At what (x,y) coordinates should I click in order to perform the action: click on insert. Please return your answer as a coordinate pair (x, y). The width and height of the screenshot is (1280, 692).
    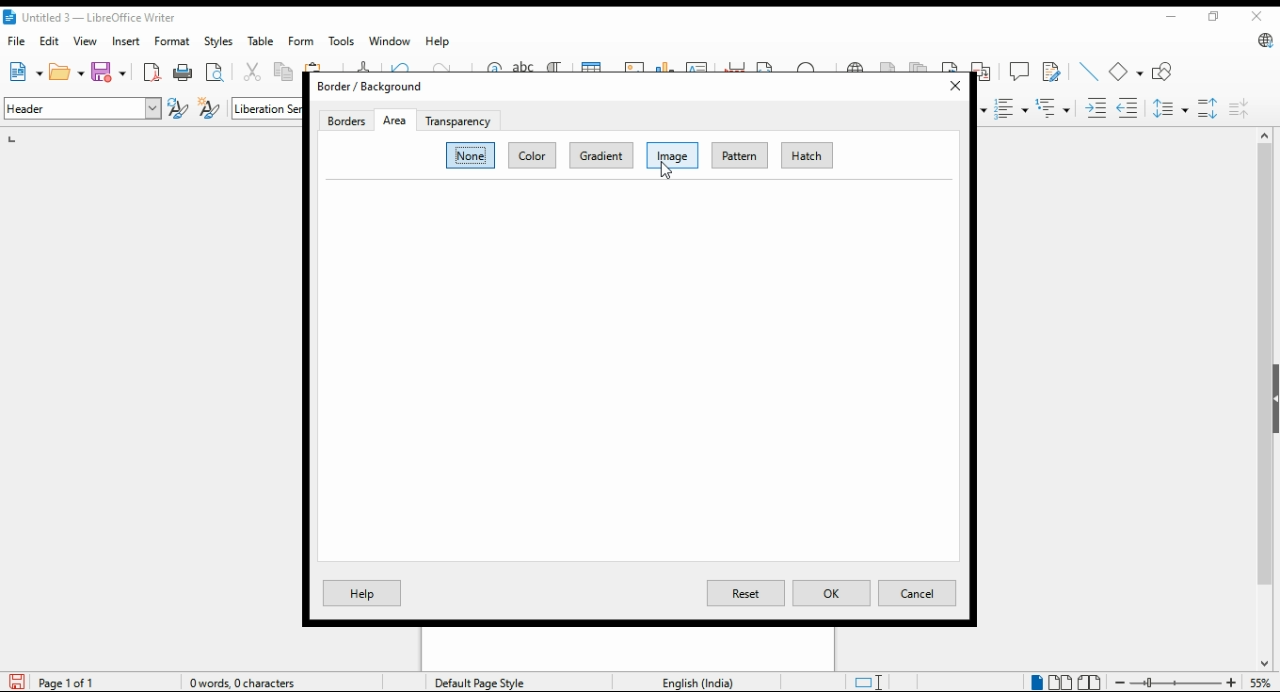
    Looking at the image, I should click on (125, 41).